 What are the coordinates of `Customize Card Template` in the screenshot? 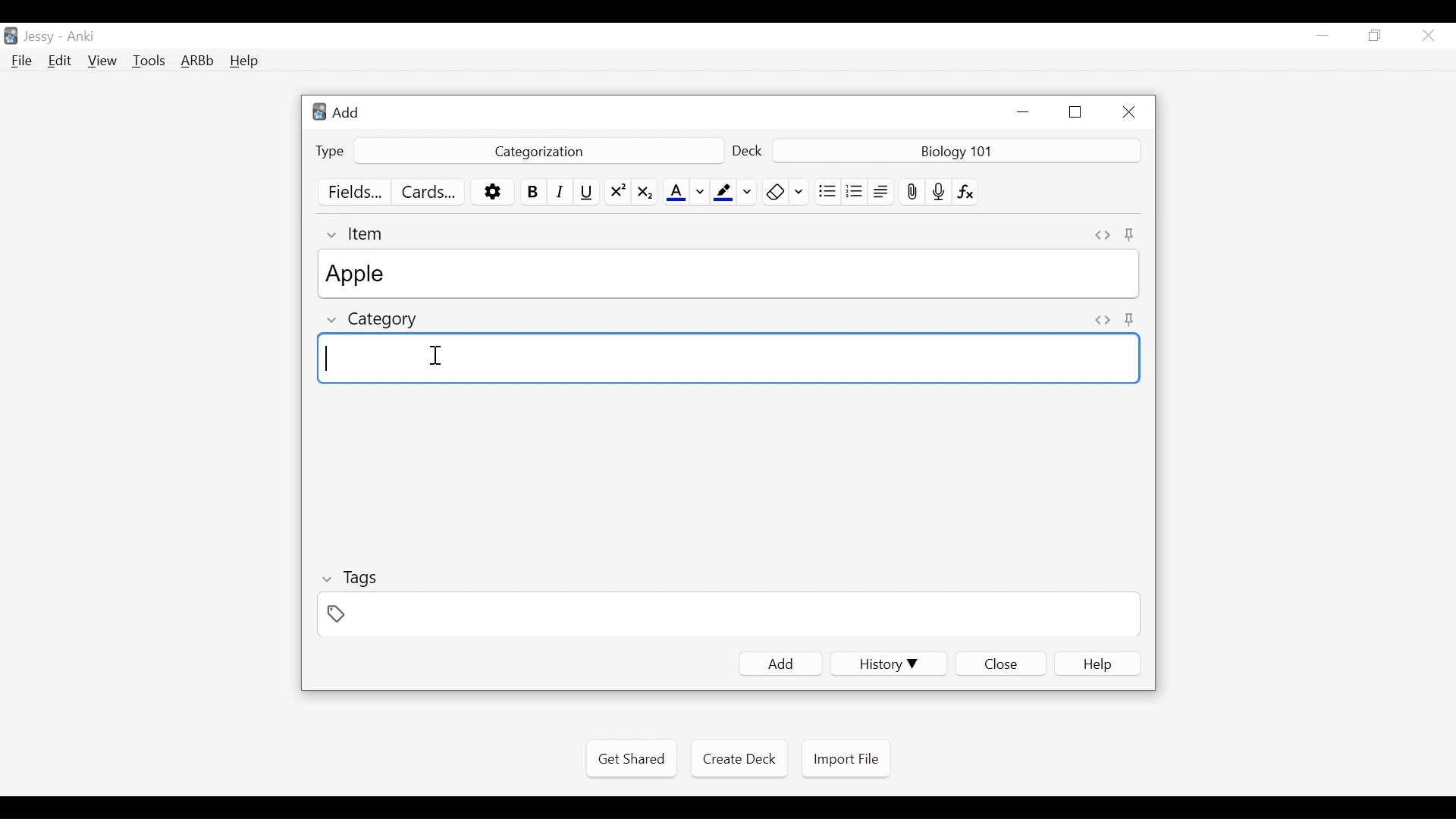 It's located at (427, 193).